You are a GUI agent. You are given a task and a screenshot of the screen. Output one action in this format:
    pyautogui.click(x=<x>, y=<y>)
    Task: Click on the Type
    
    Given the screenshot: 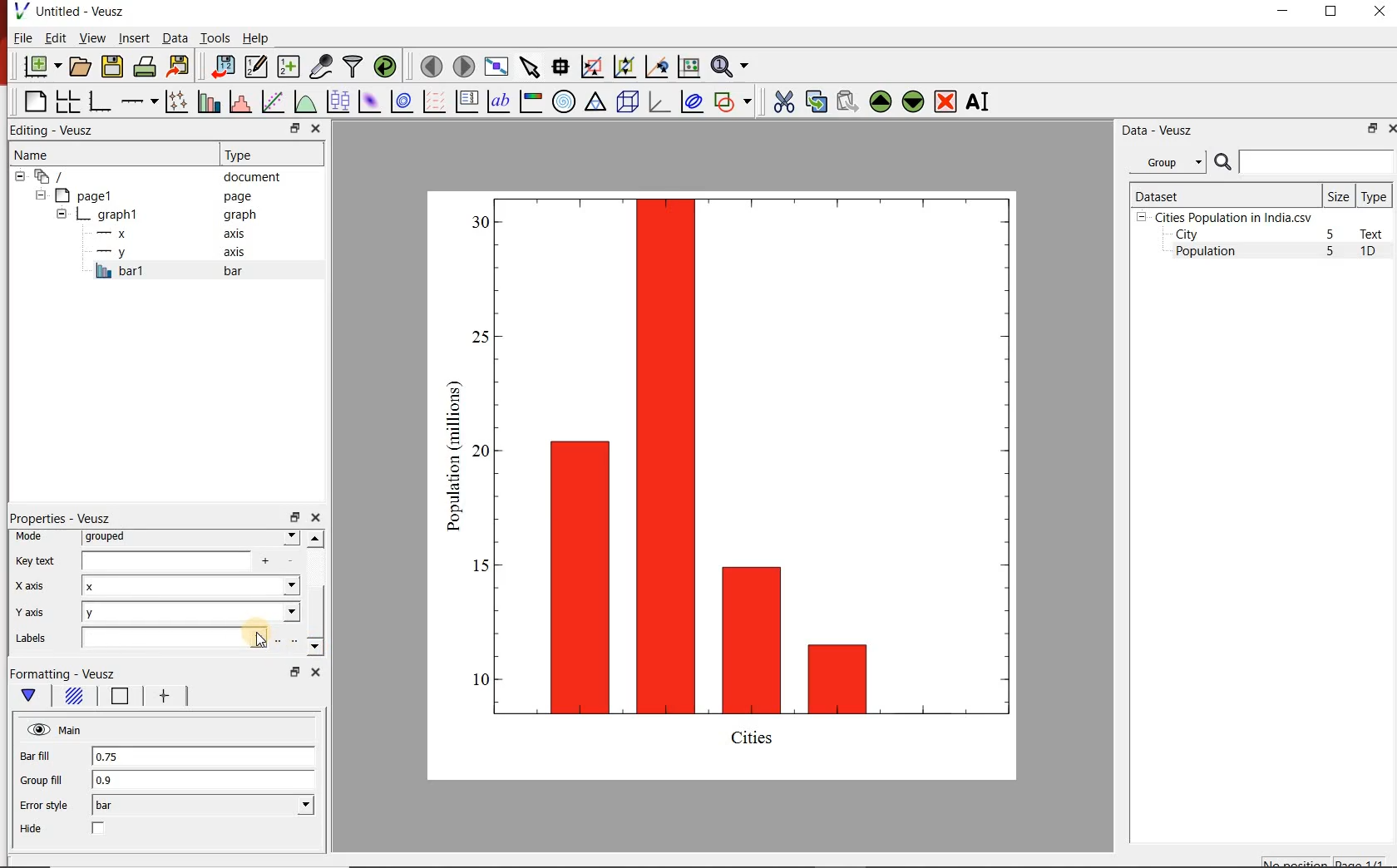 What is the action you would take?
    pyautogui.click(x=269, y=155)
    